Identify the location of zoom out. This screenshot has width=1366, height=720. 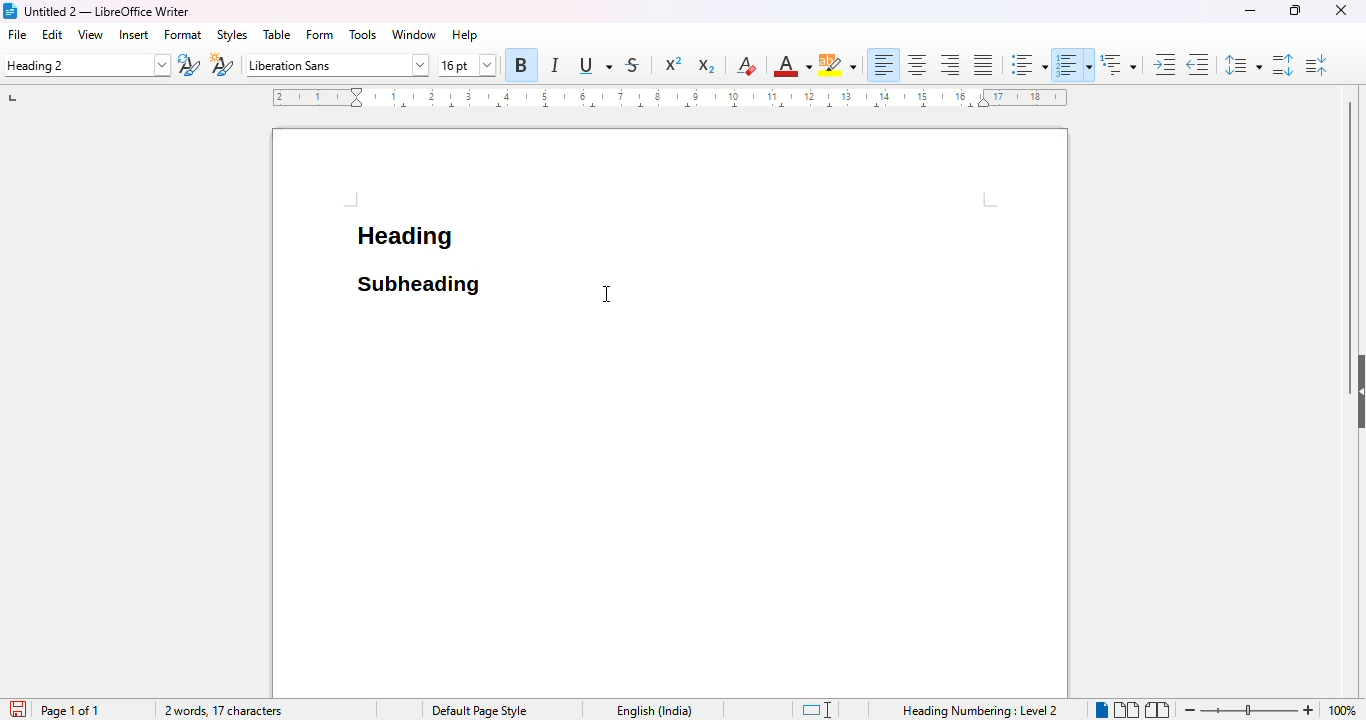
(1190, 709).